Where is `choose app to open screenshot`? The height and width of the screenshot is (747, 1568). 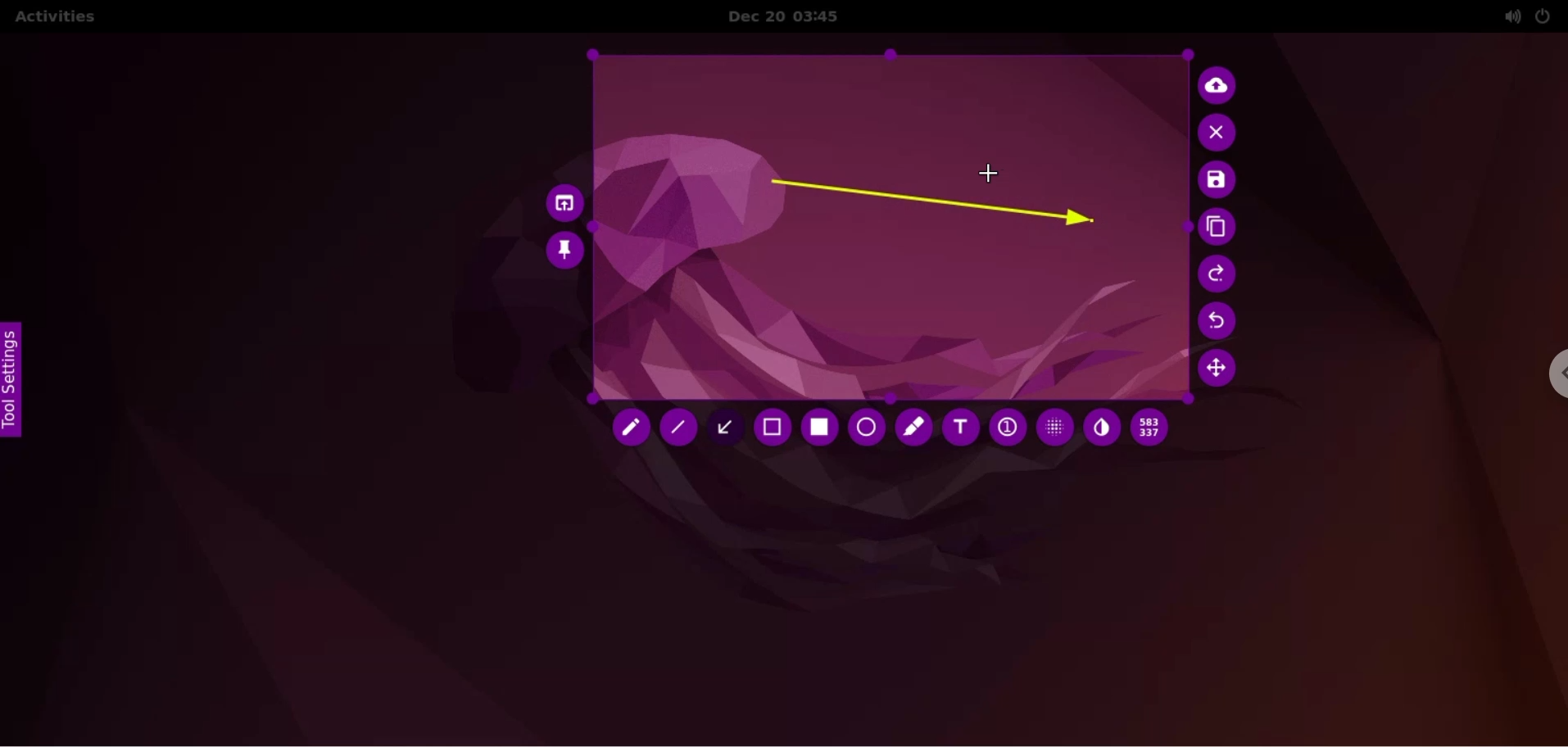 choose app to open screenshot is located at coordinates (560, 199).